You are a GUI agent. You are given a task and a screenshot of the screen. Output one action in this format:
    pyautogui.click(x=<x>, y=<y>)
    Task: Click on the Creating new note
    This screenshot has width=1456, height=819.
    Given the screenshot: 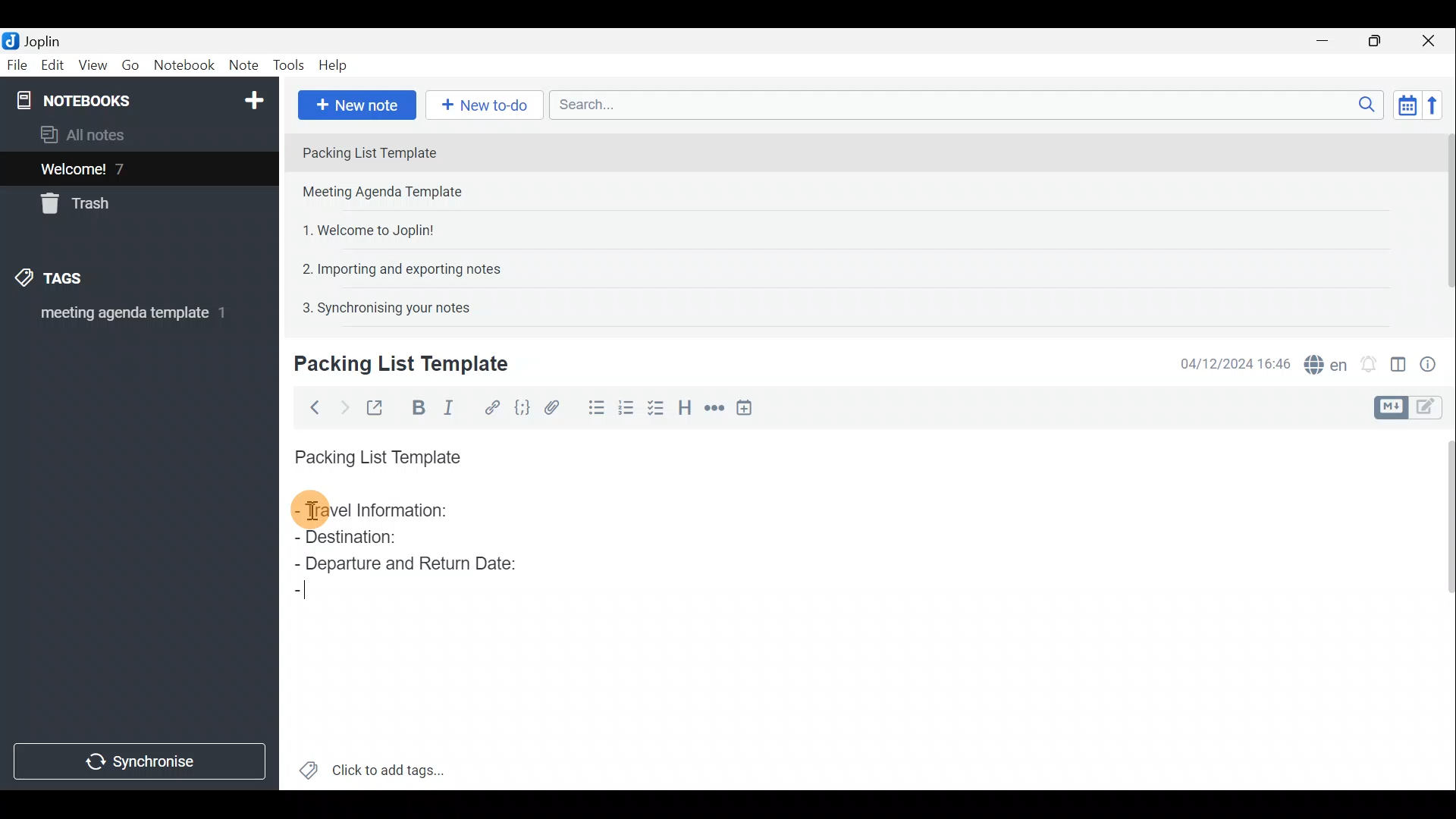 What is the action you would take?
    pyautogui.click(x=392, y=365)
    